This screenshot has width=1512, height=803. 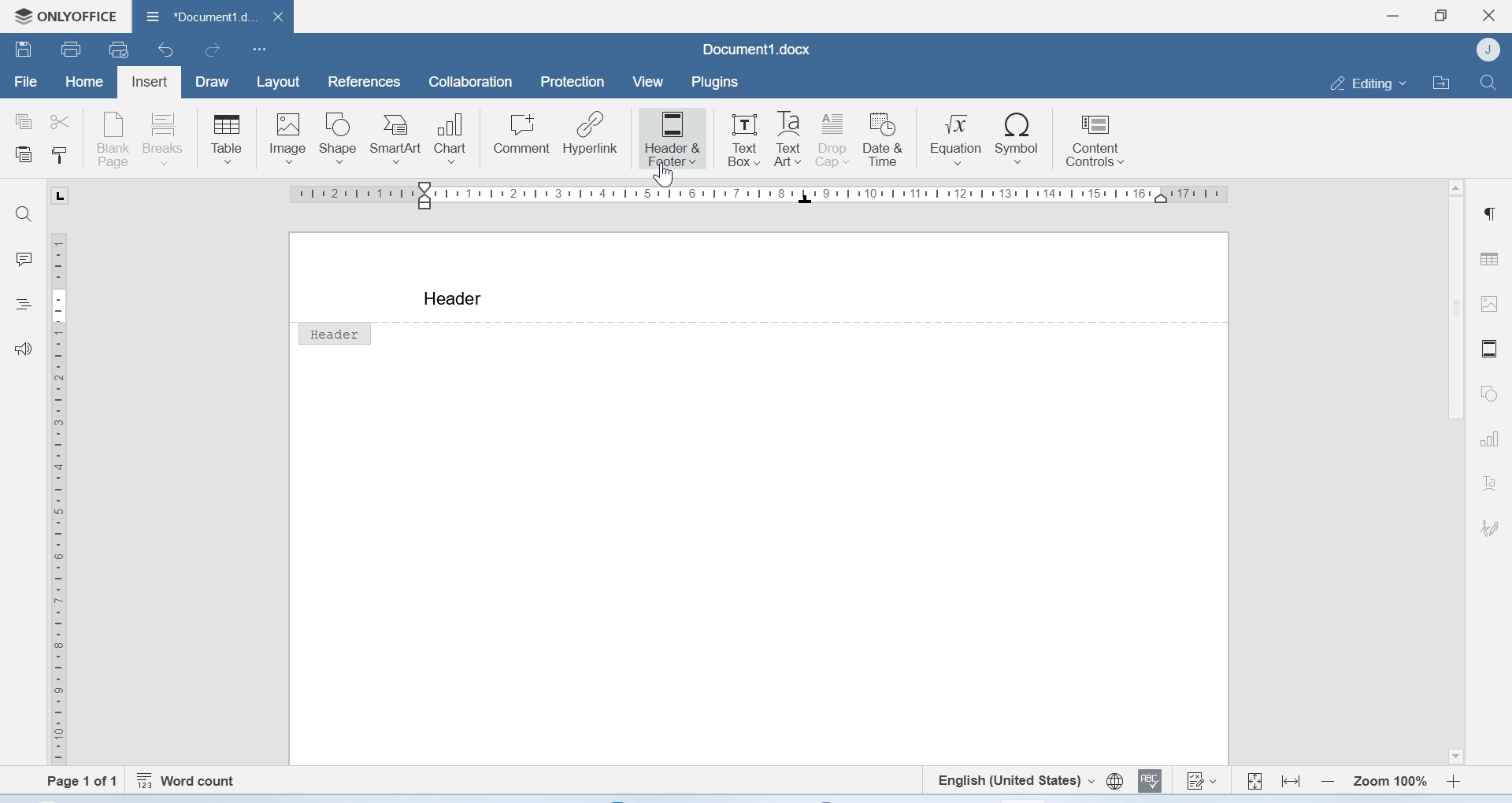 I want to click on View, so click(x=650, y=82).